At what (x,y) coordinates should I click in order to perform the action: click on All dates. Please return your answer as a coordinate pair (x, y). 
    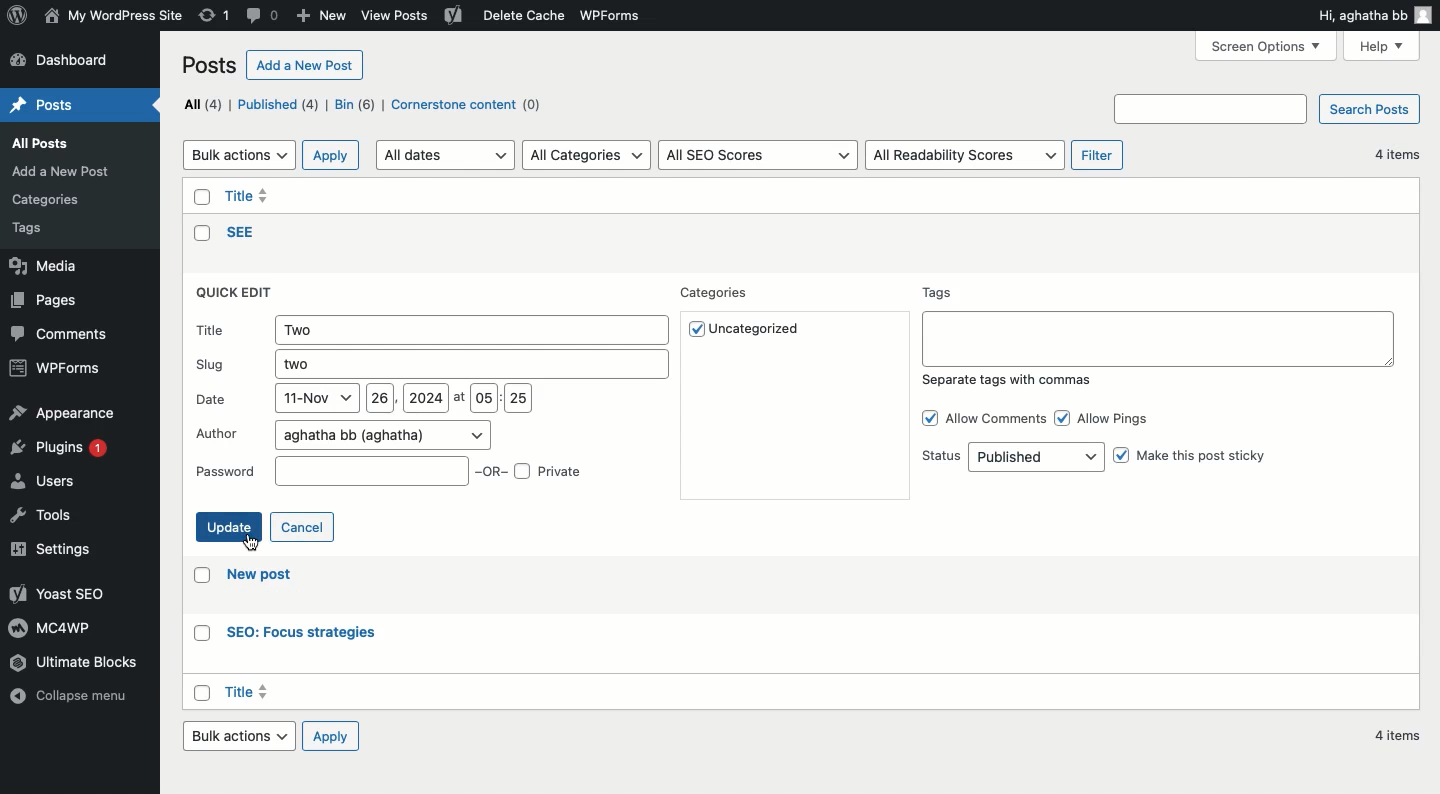
    Looking at the image, I should click on (445, 156).